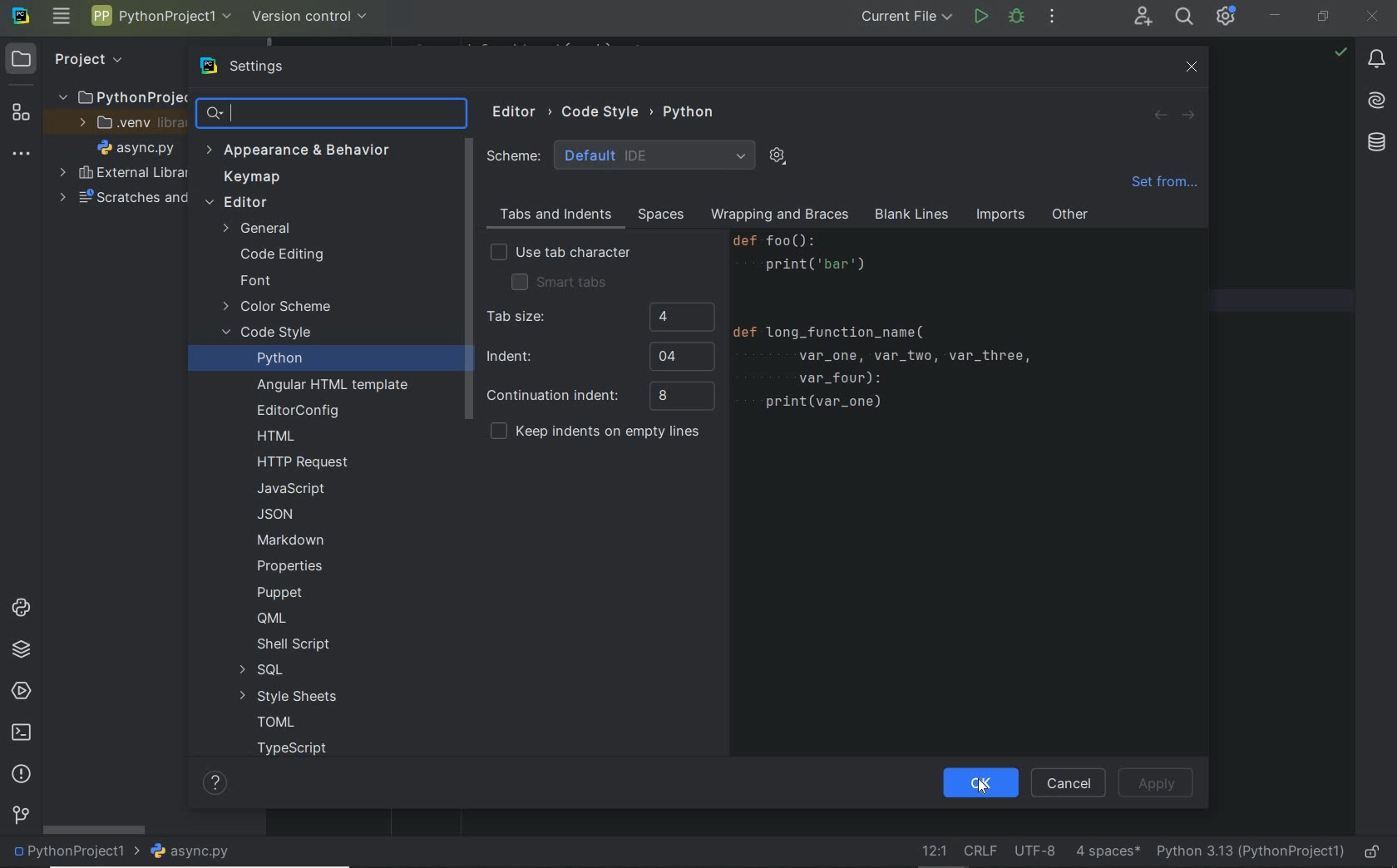 This screenshot has height=868, width=1397. Describe the element at coordinates (1275, 15) in the screenshot. I see `minimize` at that location.